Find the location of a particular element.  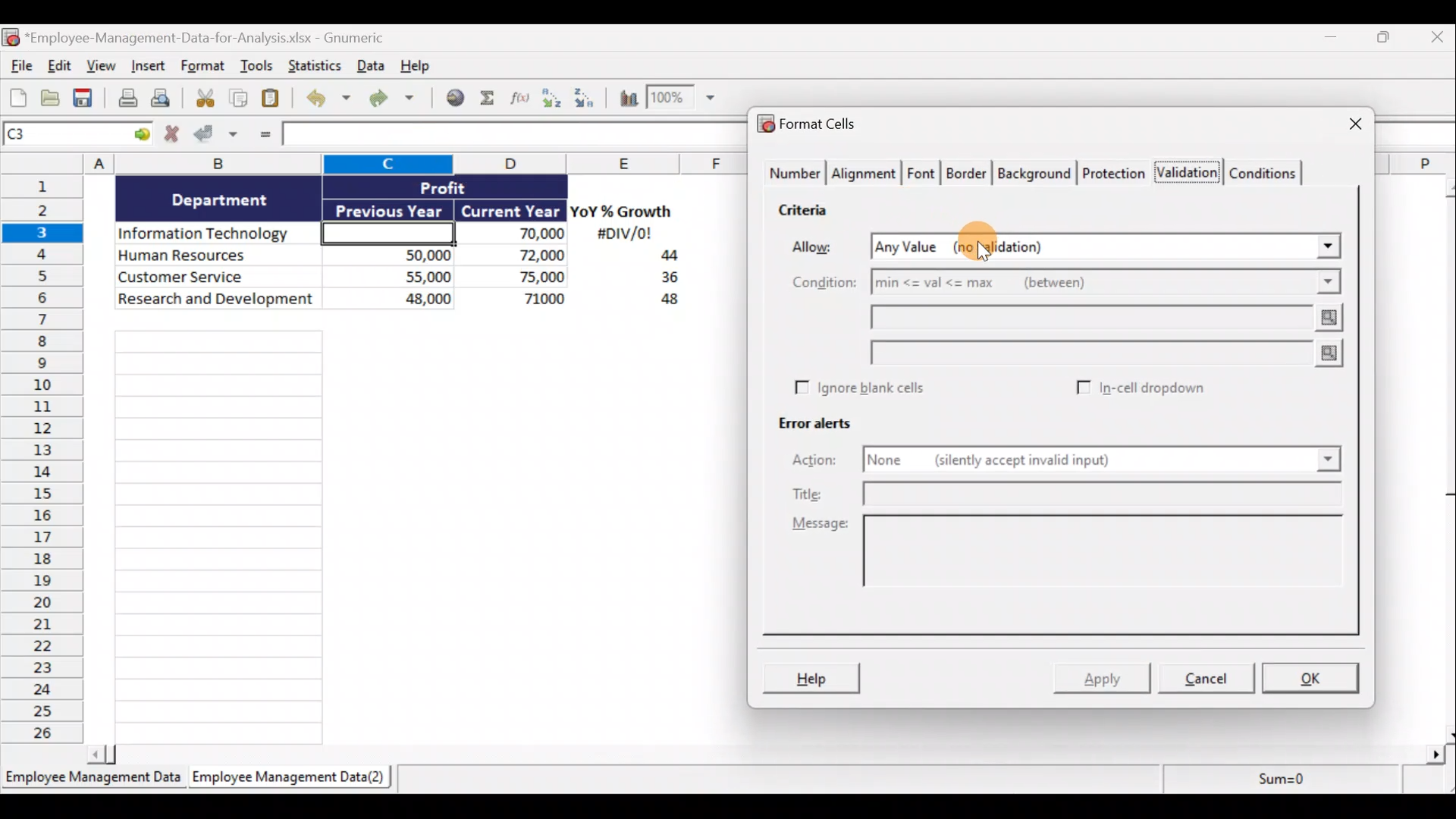

Rows is located at coordinates (47, 462).